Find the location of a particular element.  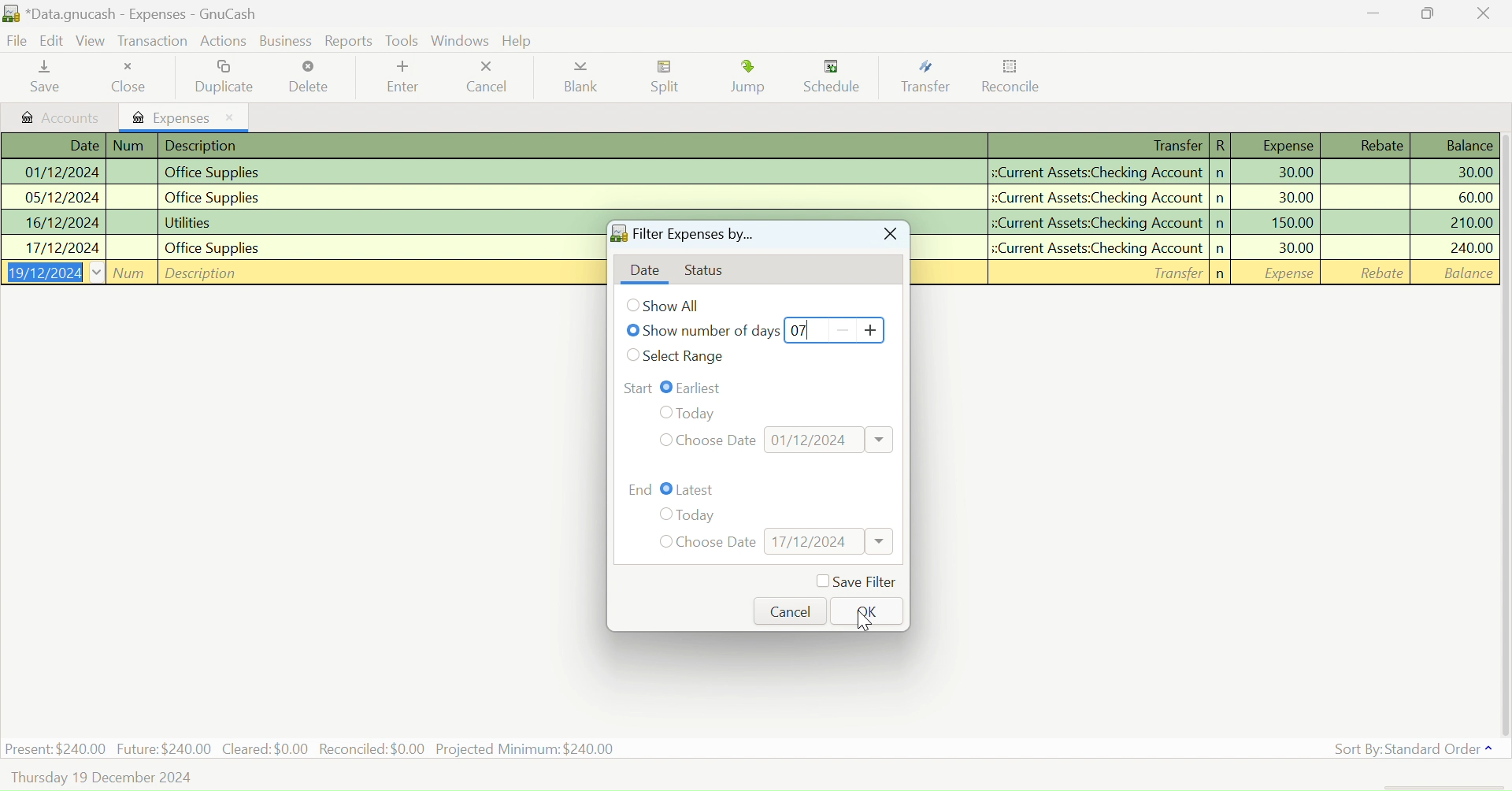

Range End: Latest is located at coordinates (641, 488).